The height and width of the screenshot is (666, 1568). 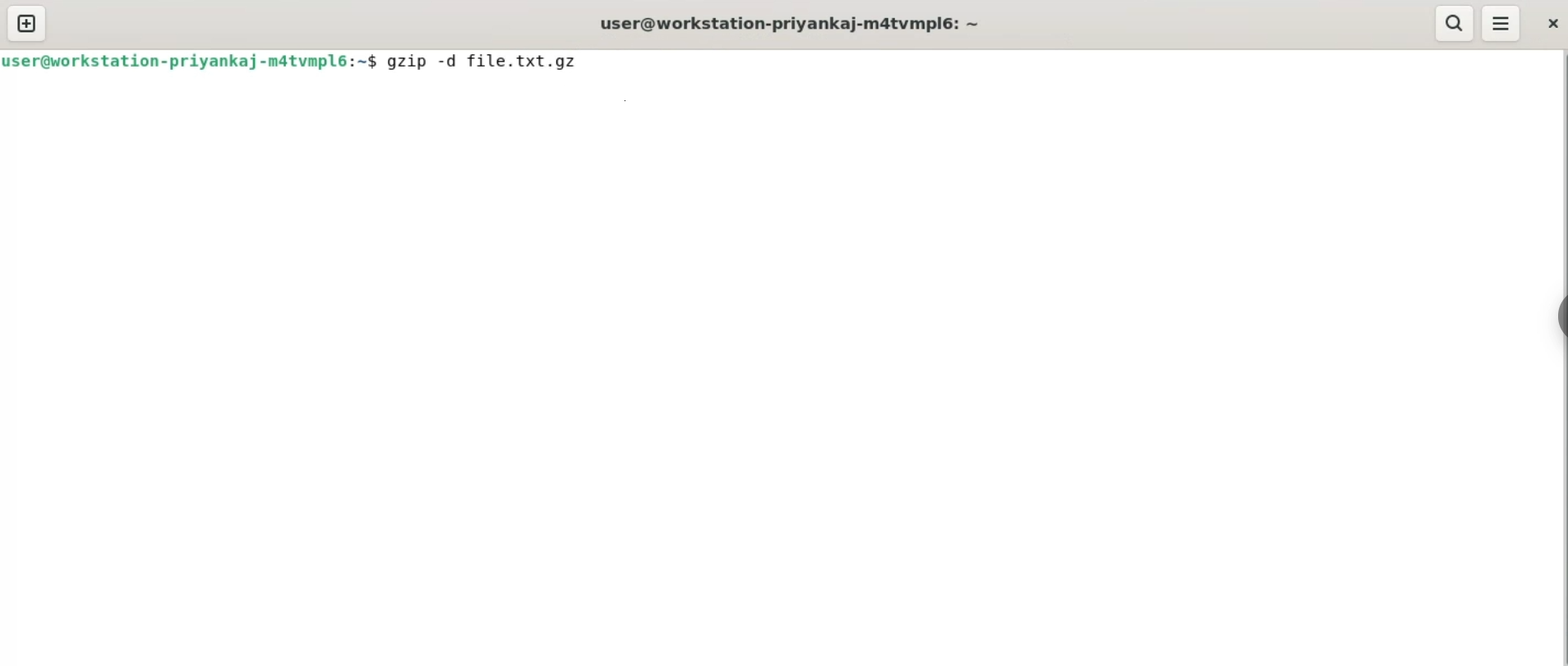 I want to click on search, so click(x=1453, y=25).